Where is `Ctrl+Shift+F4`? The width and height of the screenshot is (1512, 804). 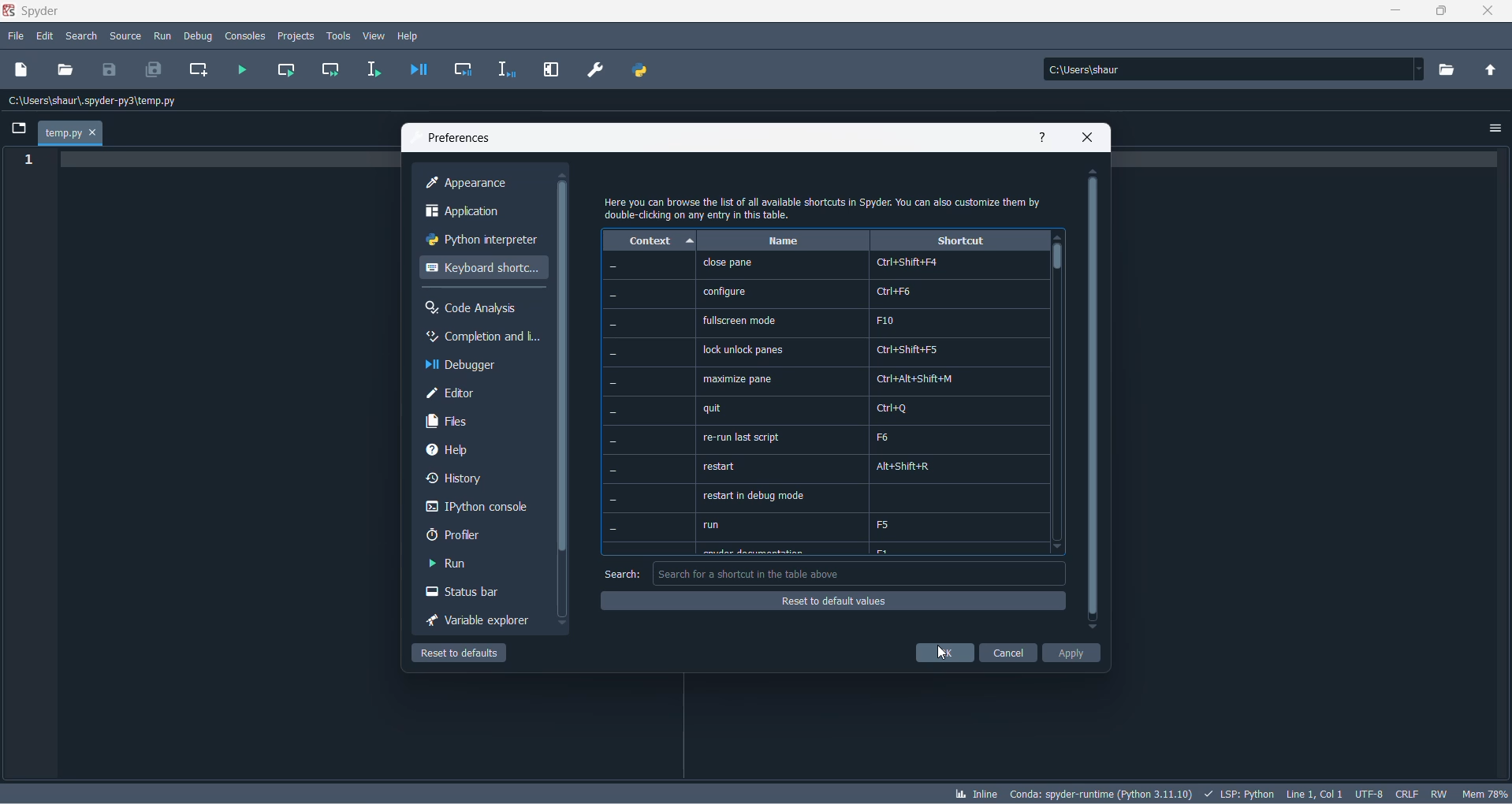
Ctrl+Shift+F4 is located at coordinates (906, 262).